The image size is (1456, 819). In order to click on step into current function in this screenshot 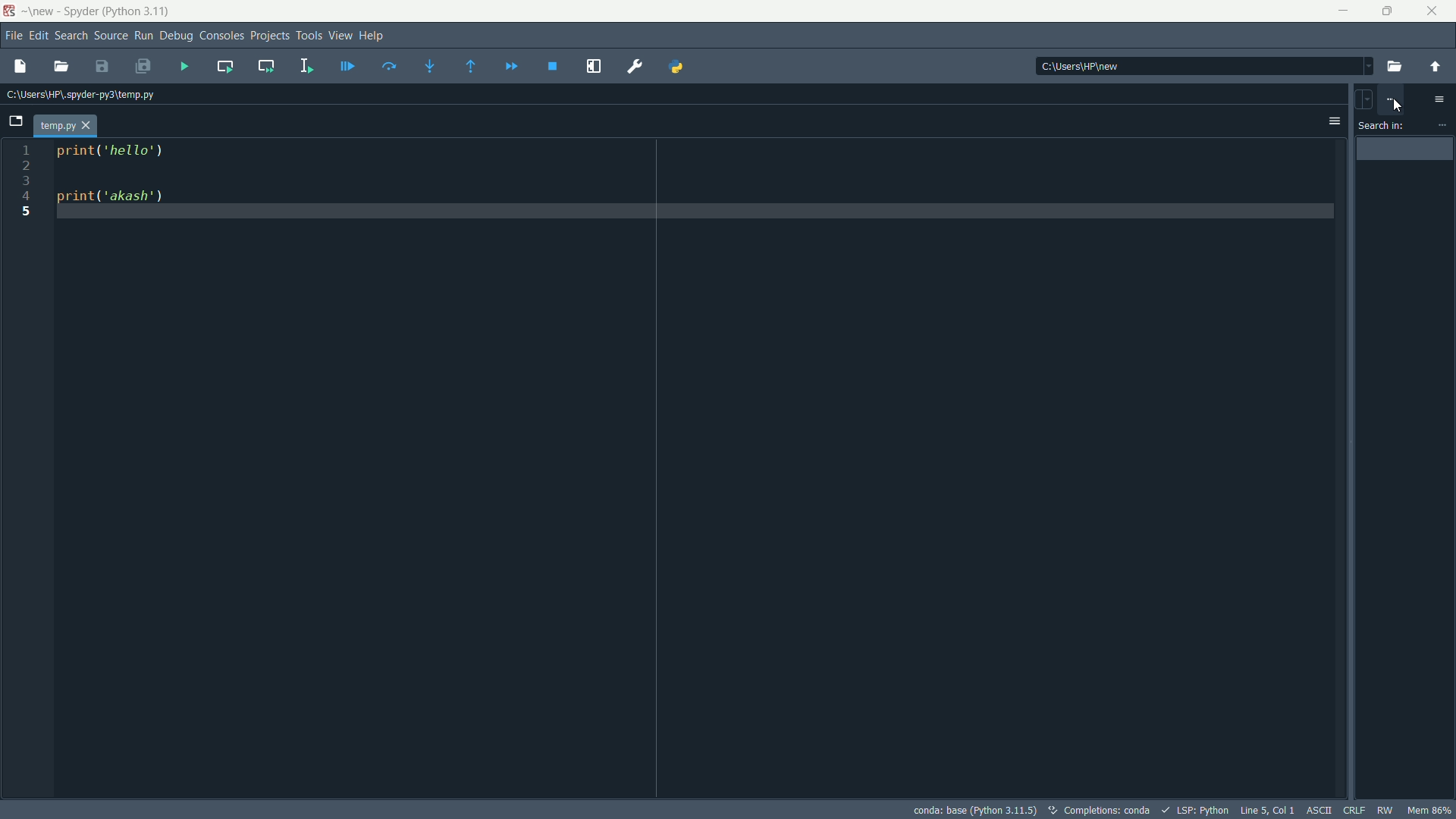, I will do `click(430, 67)`.